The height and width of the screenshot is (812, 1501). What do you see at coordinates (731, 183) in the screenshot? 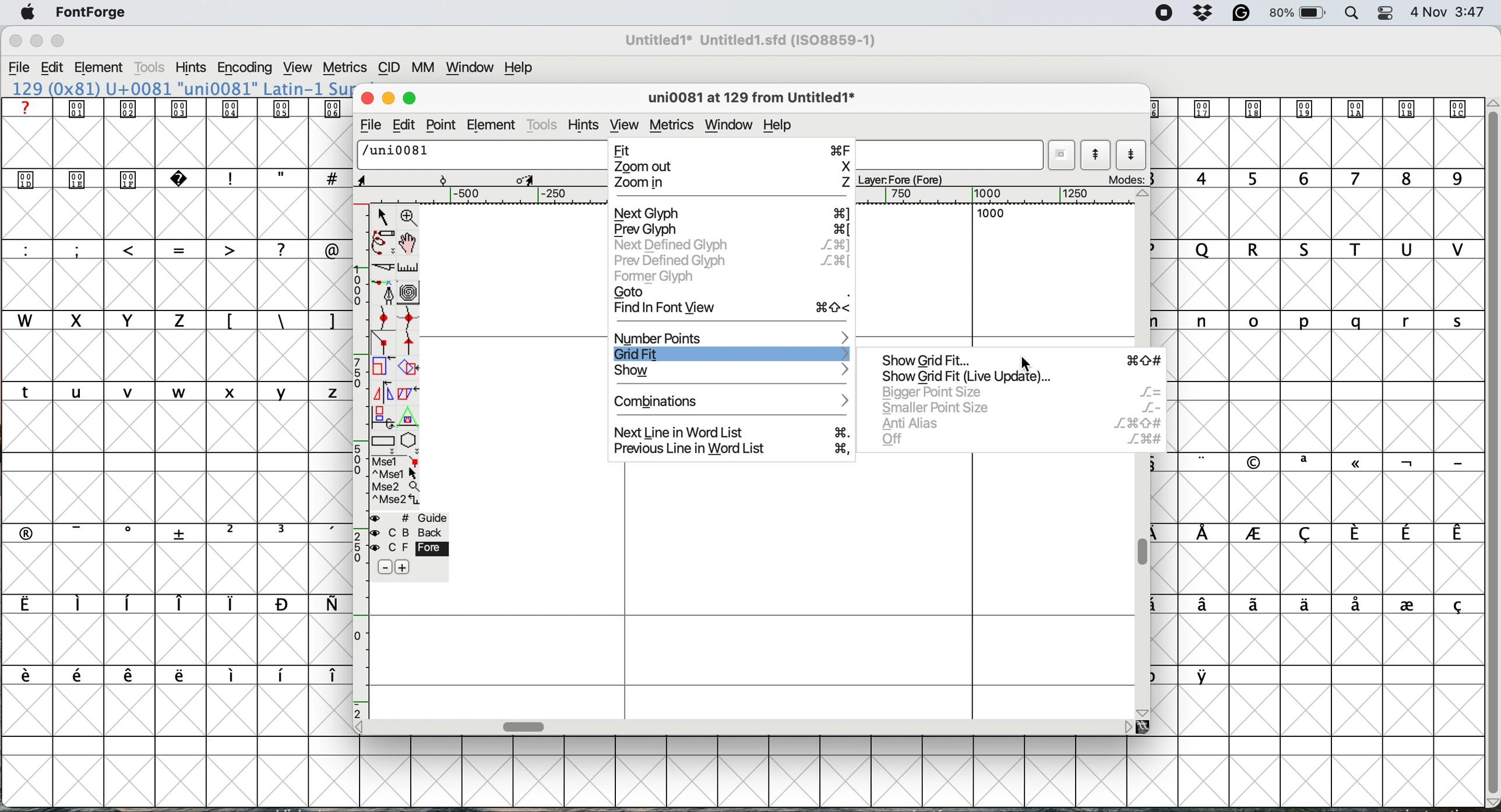
I see `zoom in` at bounding box center [731, 183].